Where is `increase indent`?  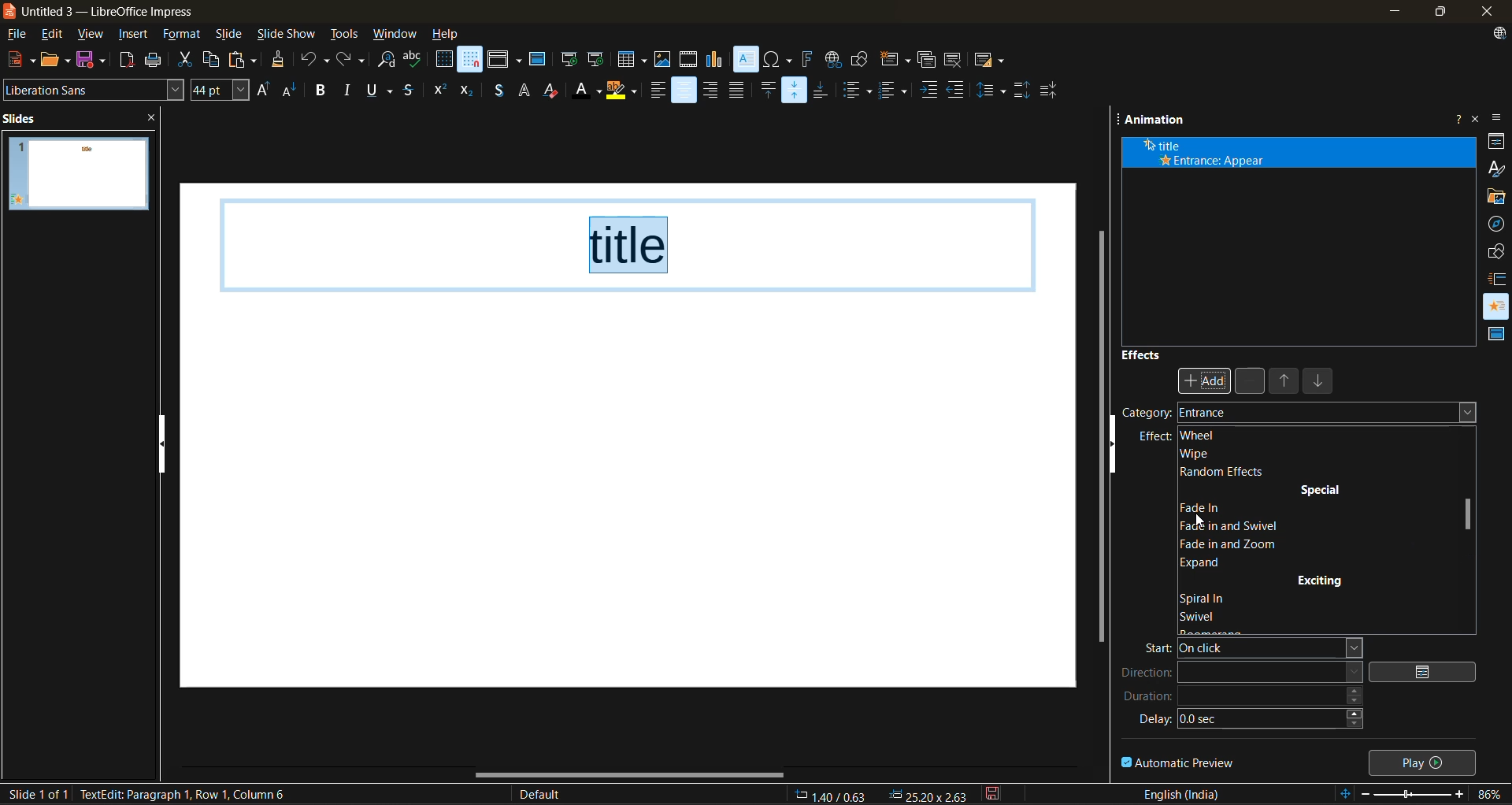
increase indent is located at coordinates (930, 91).